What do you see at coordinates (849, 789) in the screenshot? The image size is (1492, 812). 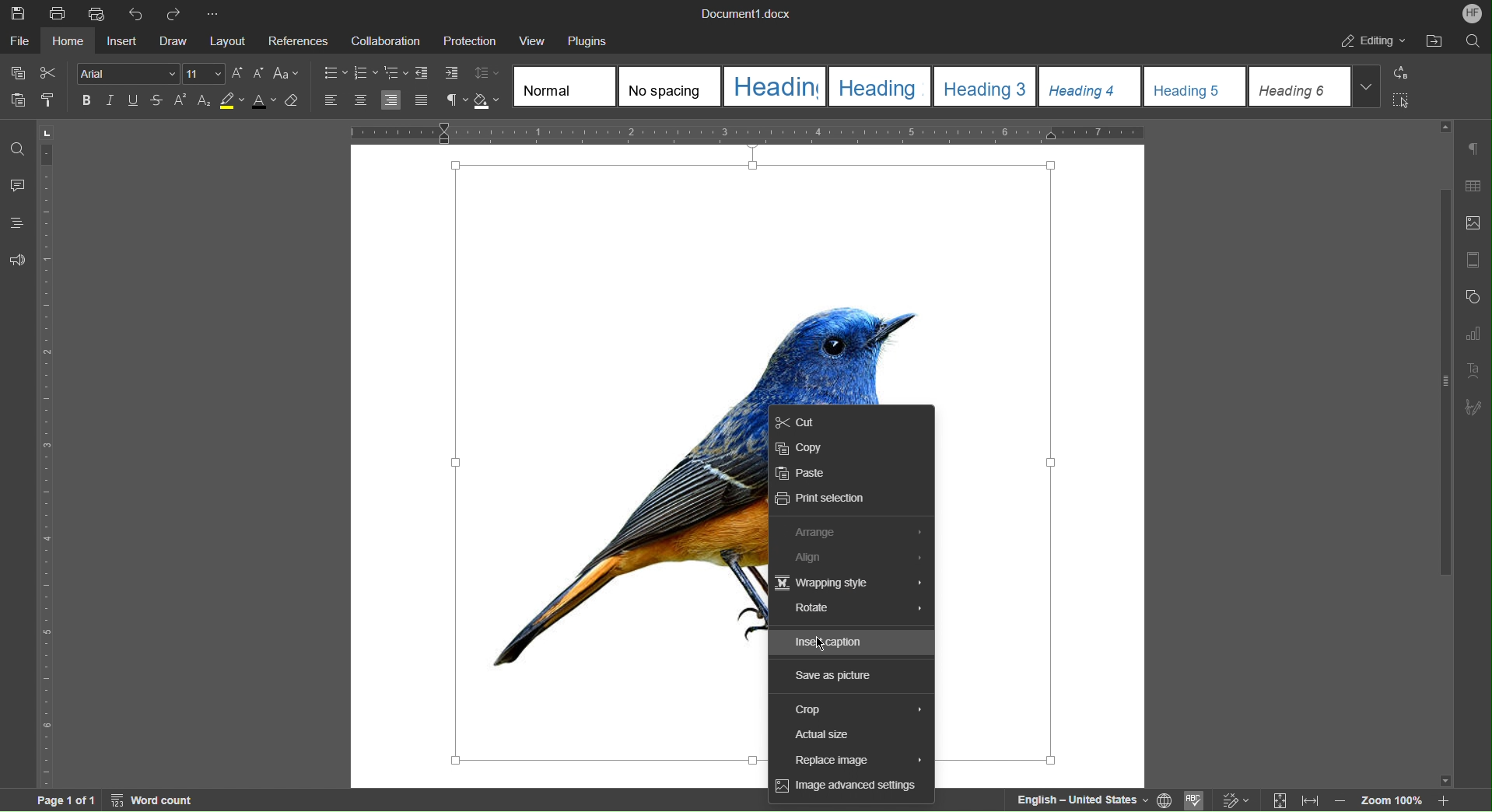 I see `Image advanced settings` at bounding box center [849, 789].